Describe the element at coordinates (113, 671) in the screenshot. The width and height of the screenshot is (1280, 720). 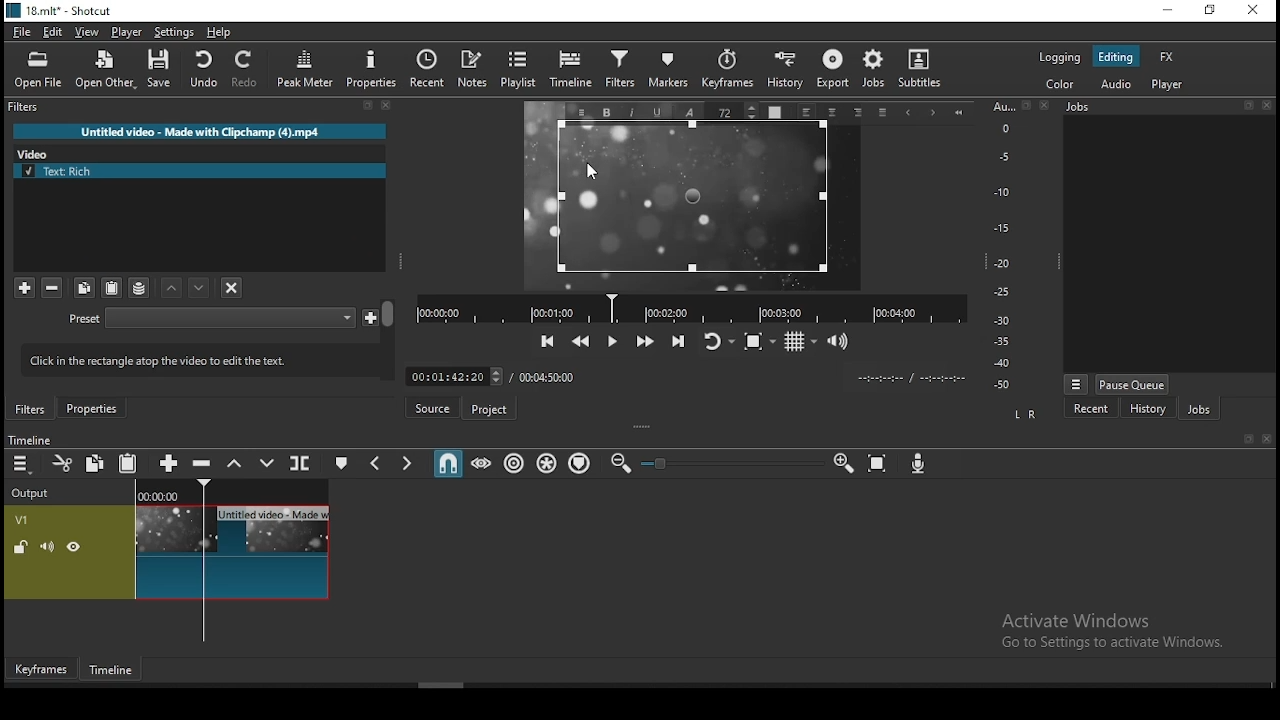
I see `timeline` at that location.